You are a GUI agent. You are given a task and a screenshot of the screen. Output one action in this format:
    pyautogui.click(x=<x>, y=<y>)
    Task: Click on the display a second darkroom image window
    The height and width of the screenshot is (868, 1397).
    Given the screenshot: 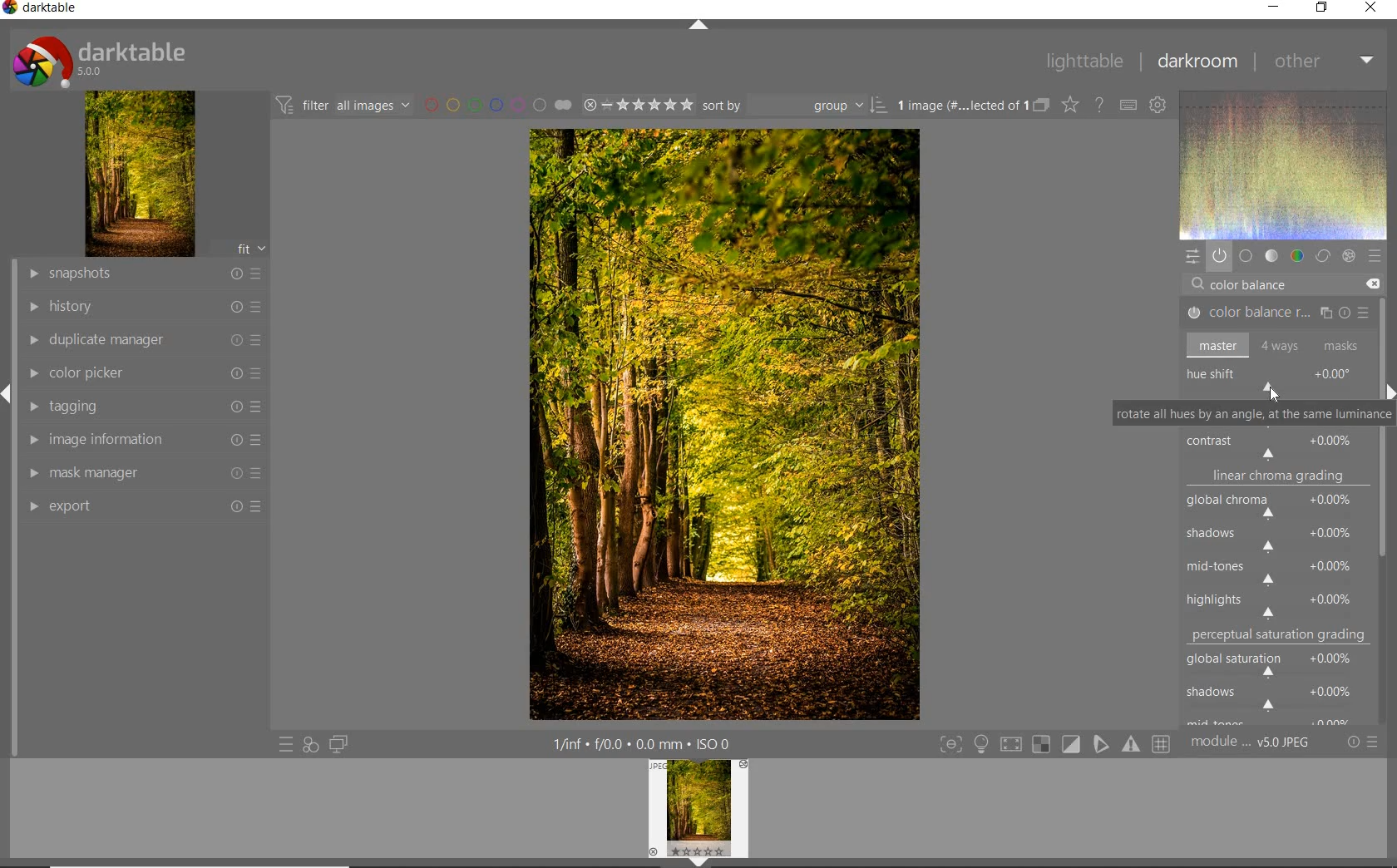 What is the action you would take?
    pyautogui.click(x=335, y=744)
    